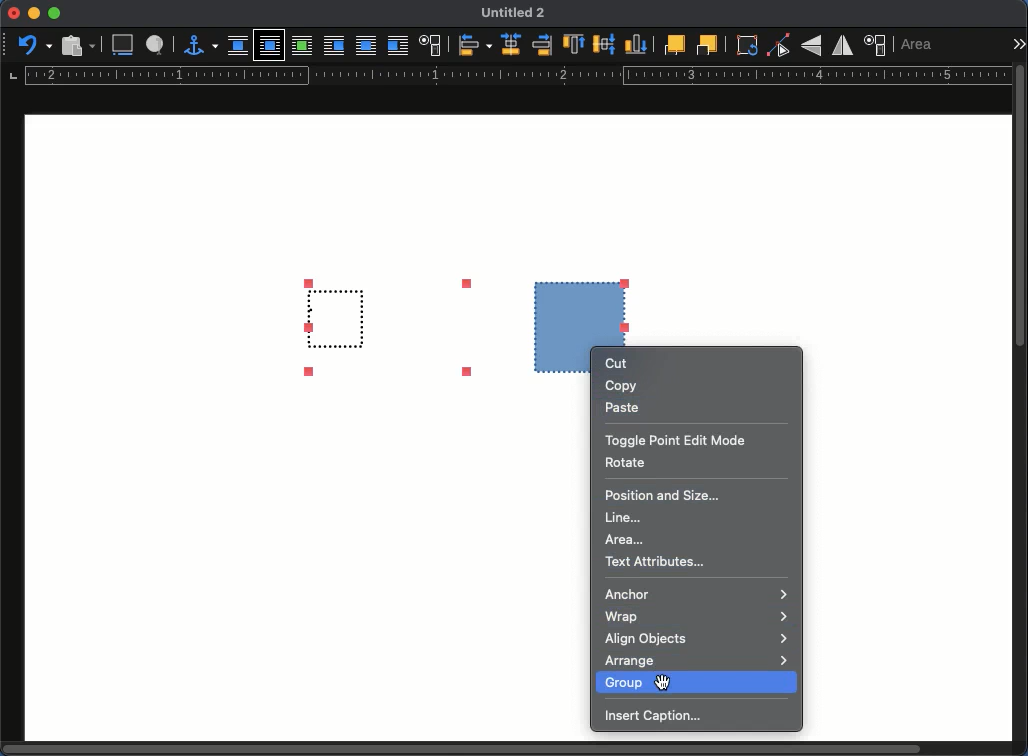 This screenshot has height=756, width=1028. I want to click on text wrap, so click(430, 45).